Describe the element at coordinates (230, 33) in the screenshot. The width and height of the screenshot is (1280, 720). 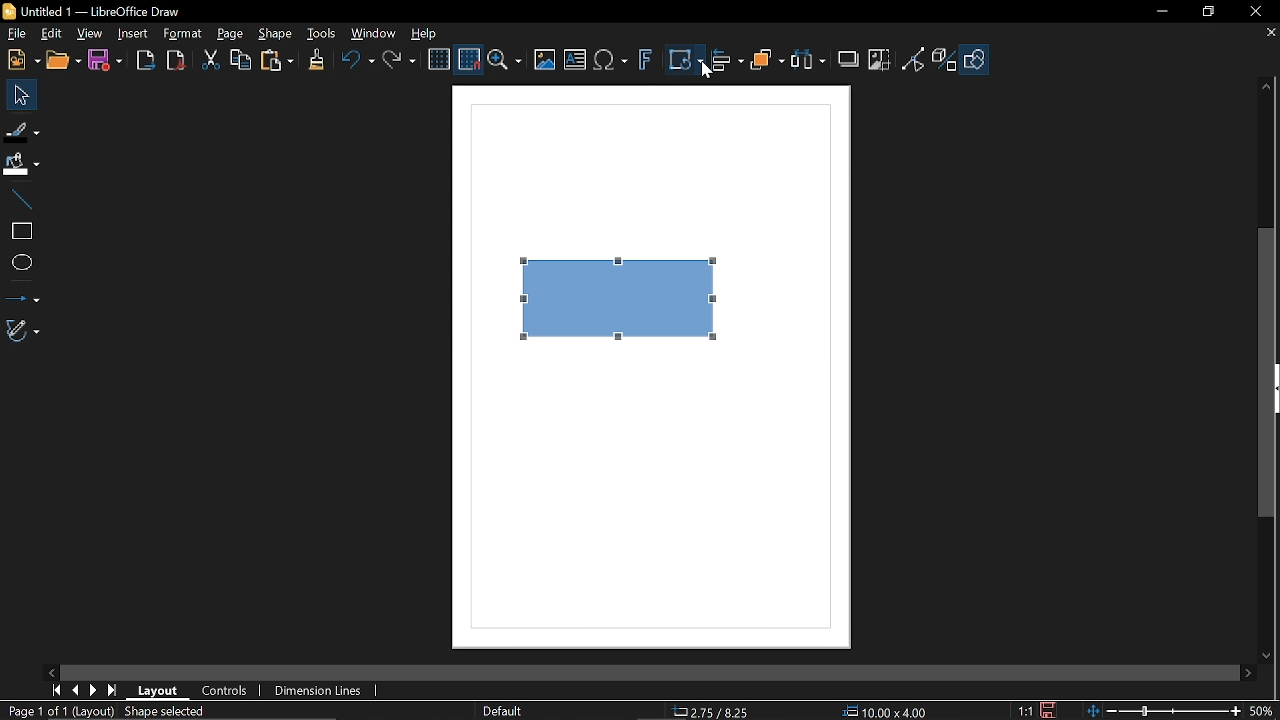
I see `Page` at that location.